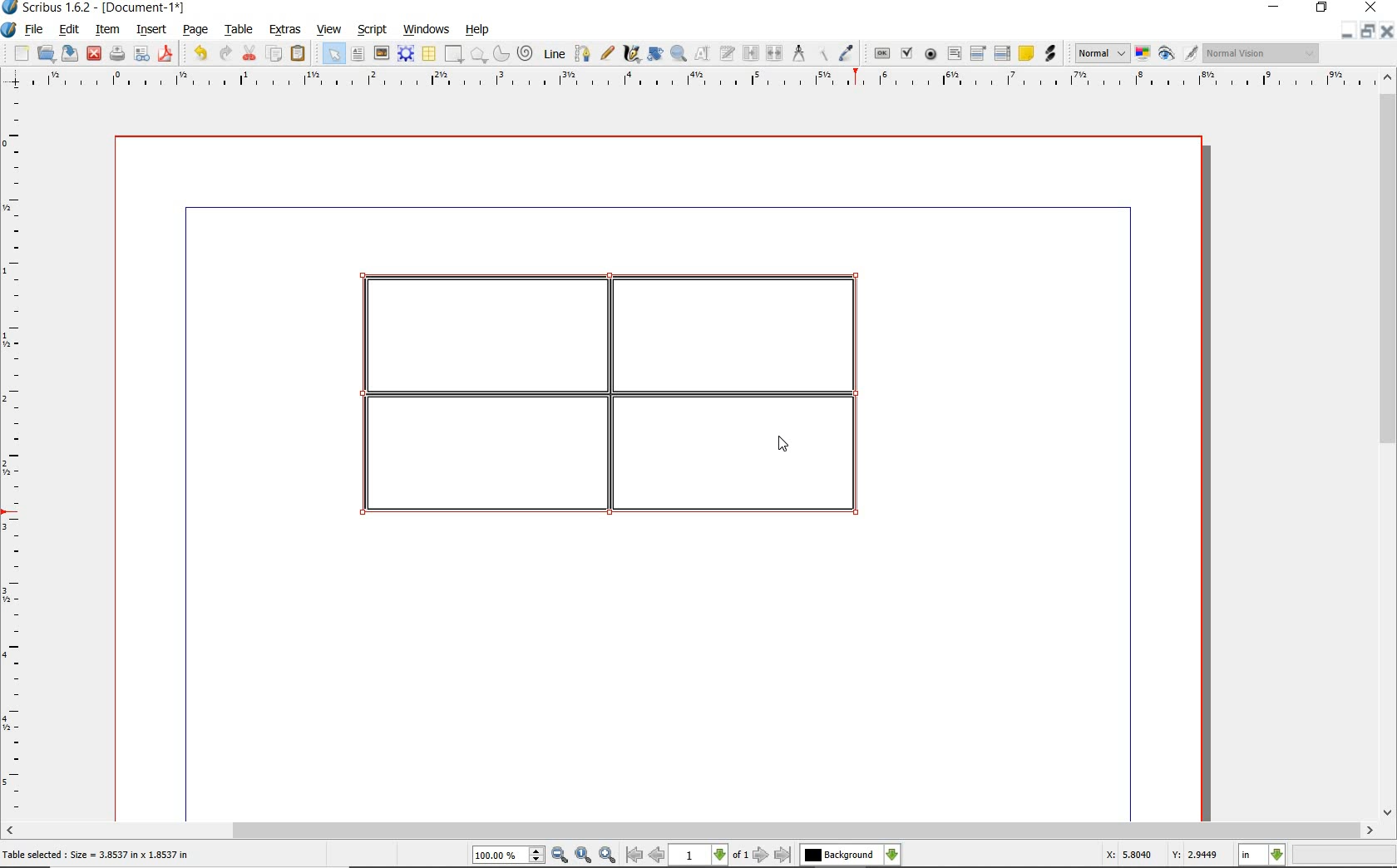  I want to click on open, so click(47, 54).